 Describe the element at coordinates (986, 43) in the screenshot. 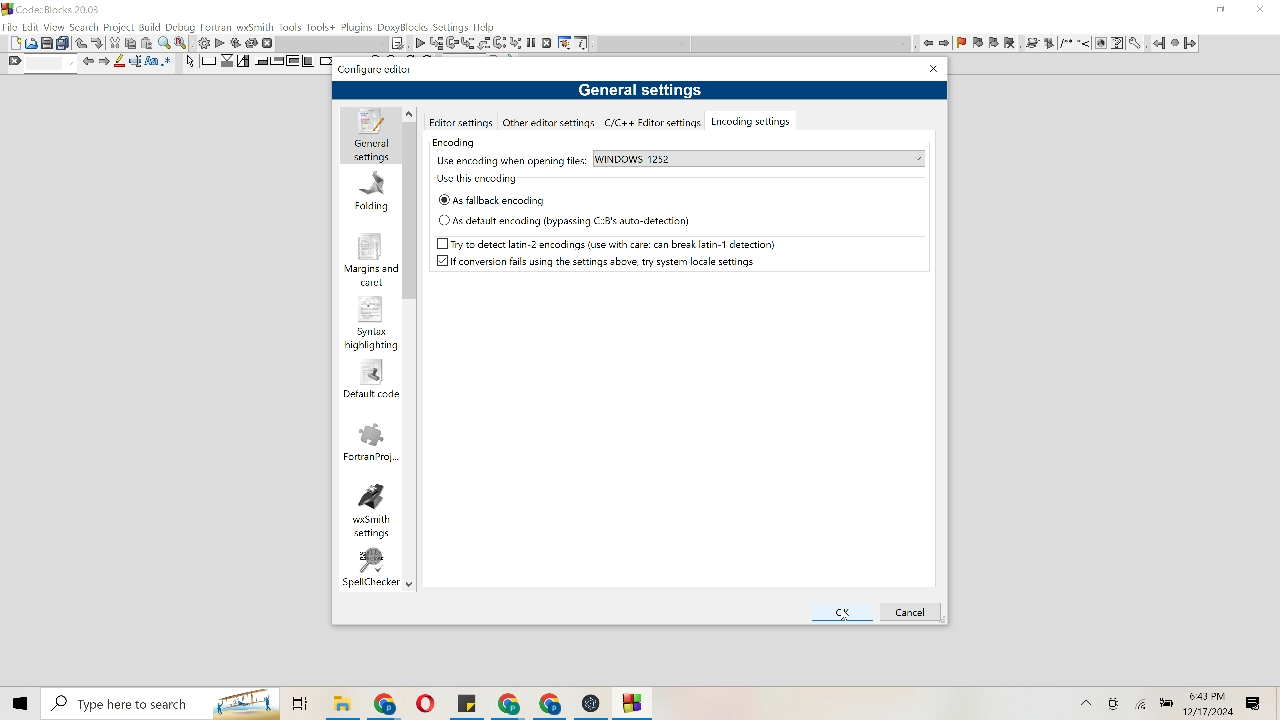

I see `flag item` at that location.